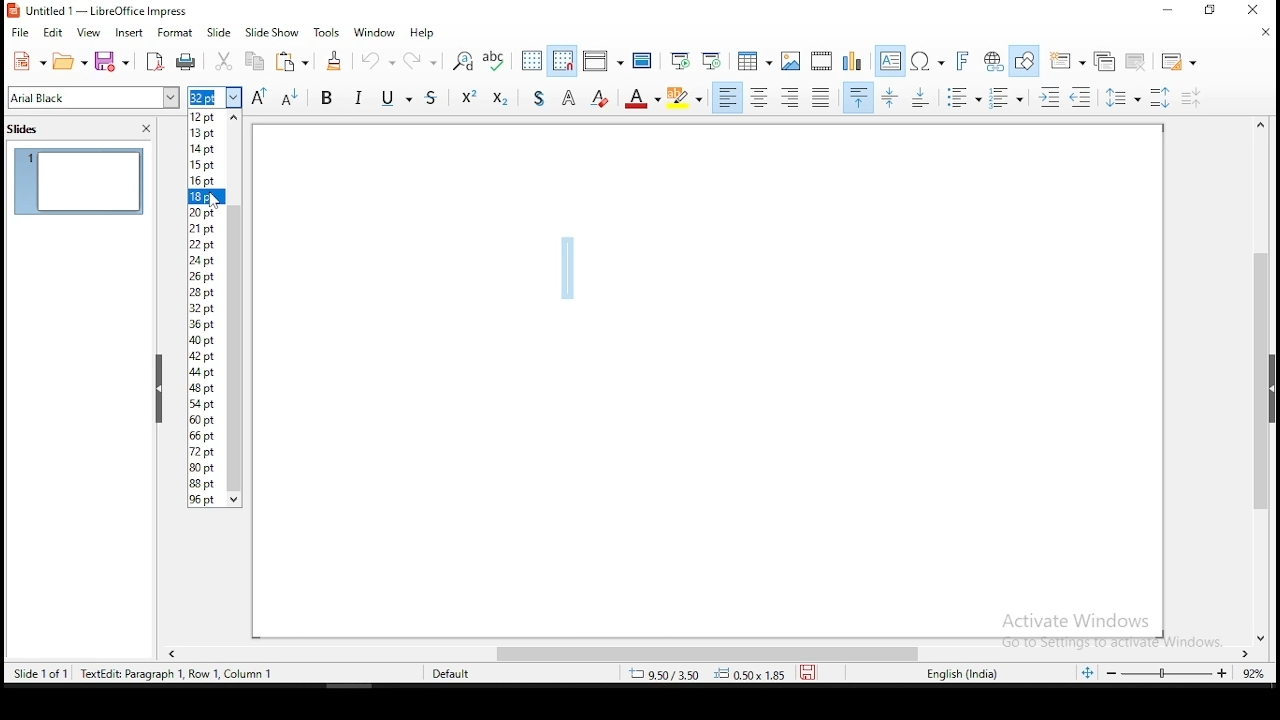  Describe the element at coordinates (207, 499) in the screenshot. I see `96` at that location.